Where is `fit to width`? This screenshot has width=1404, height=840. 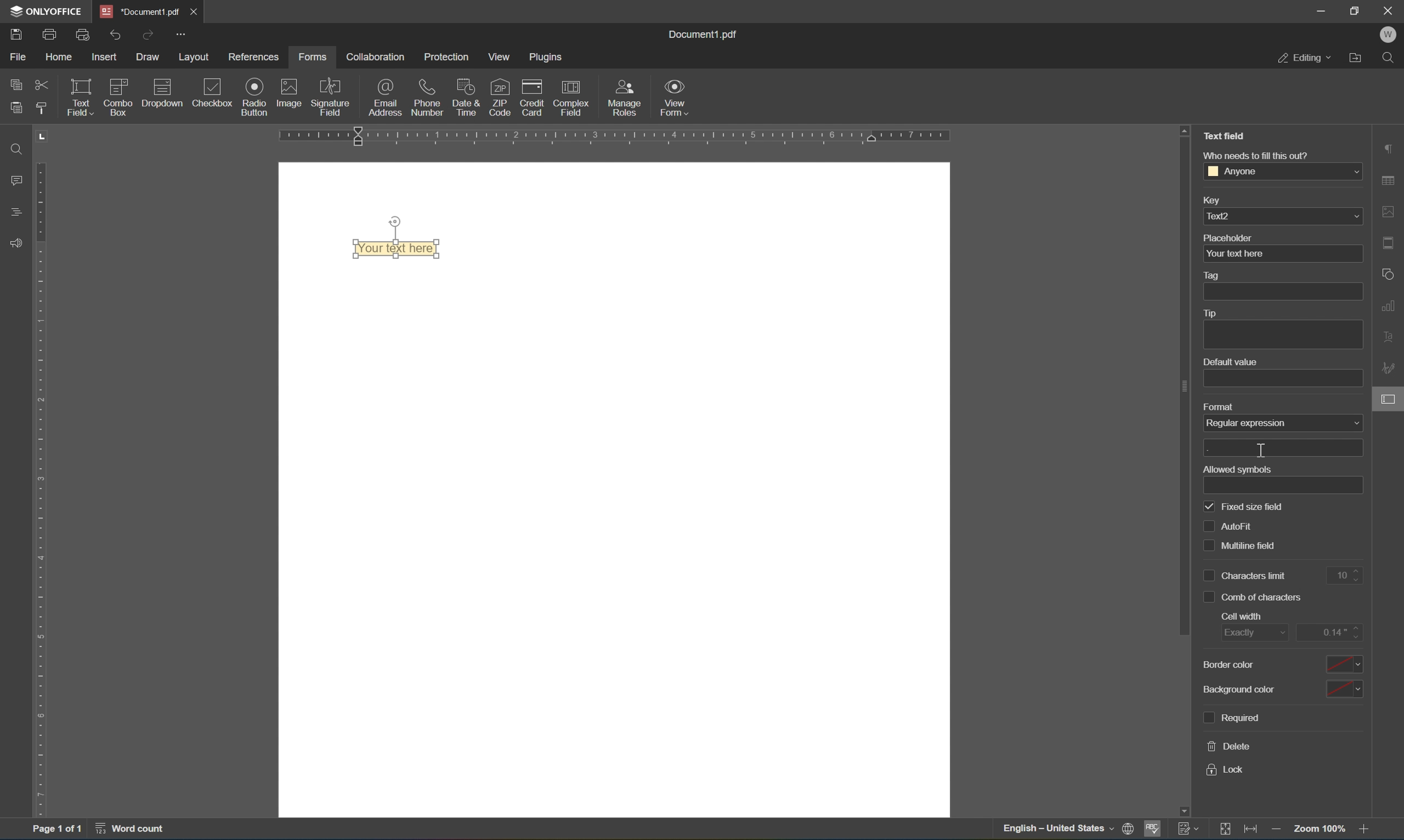
fit to width is located at coordinates (1251, 832).